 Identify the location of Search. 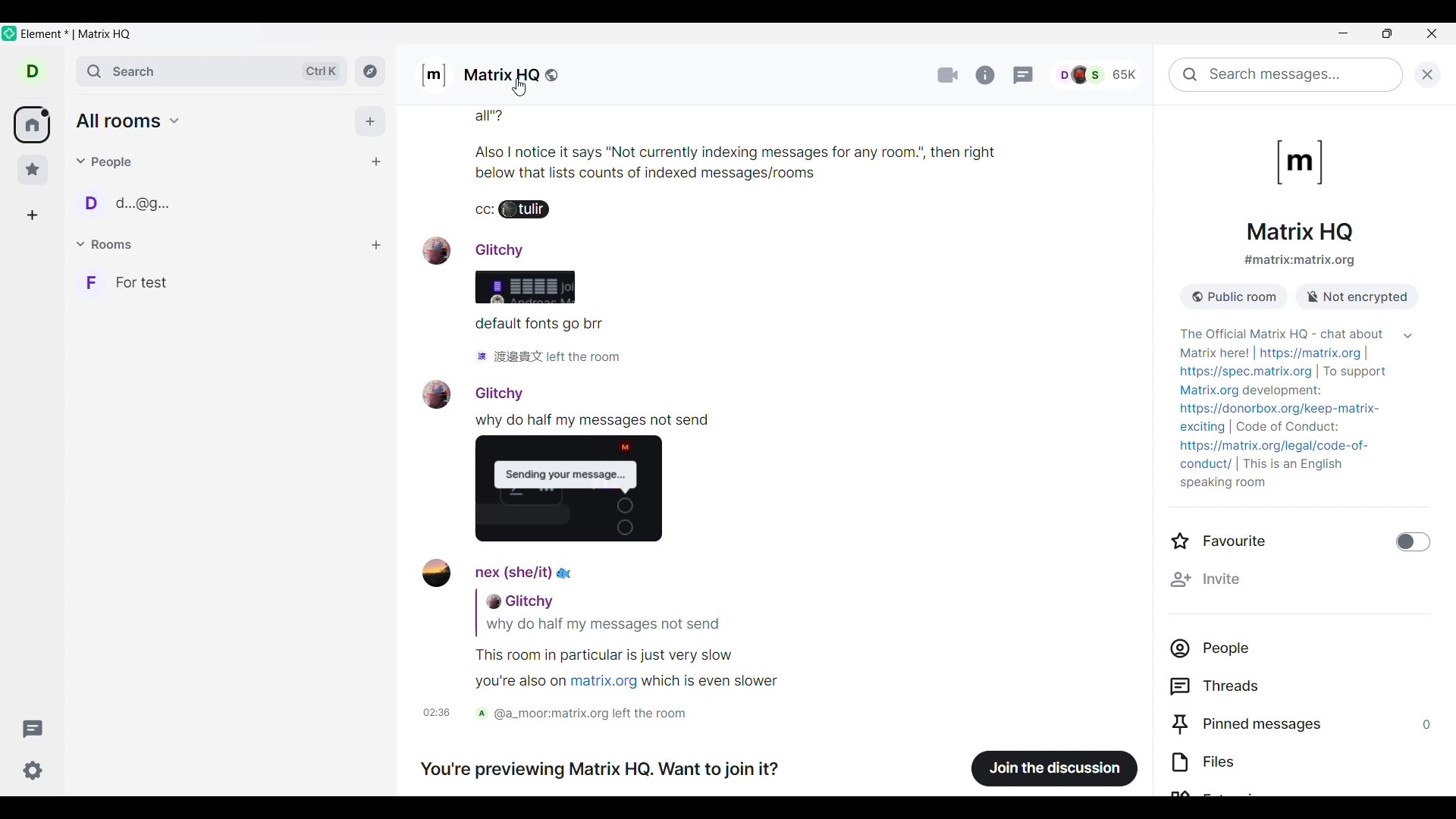
(212, 71).